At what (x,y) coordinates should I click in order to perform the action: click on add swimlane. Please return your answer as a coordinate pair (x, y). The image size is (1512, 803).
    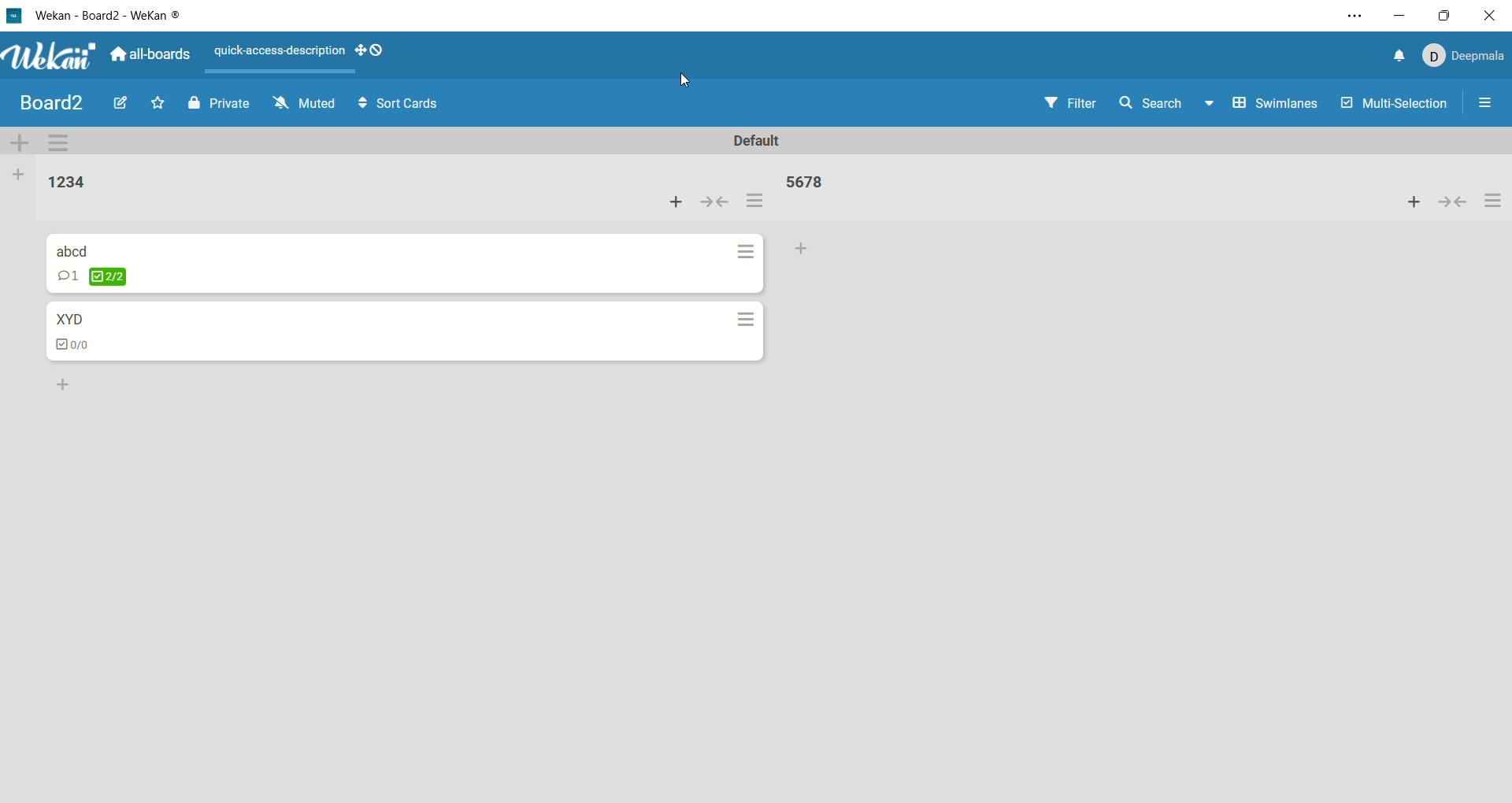
    Looking at the image, I should click on (21, 142).